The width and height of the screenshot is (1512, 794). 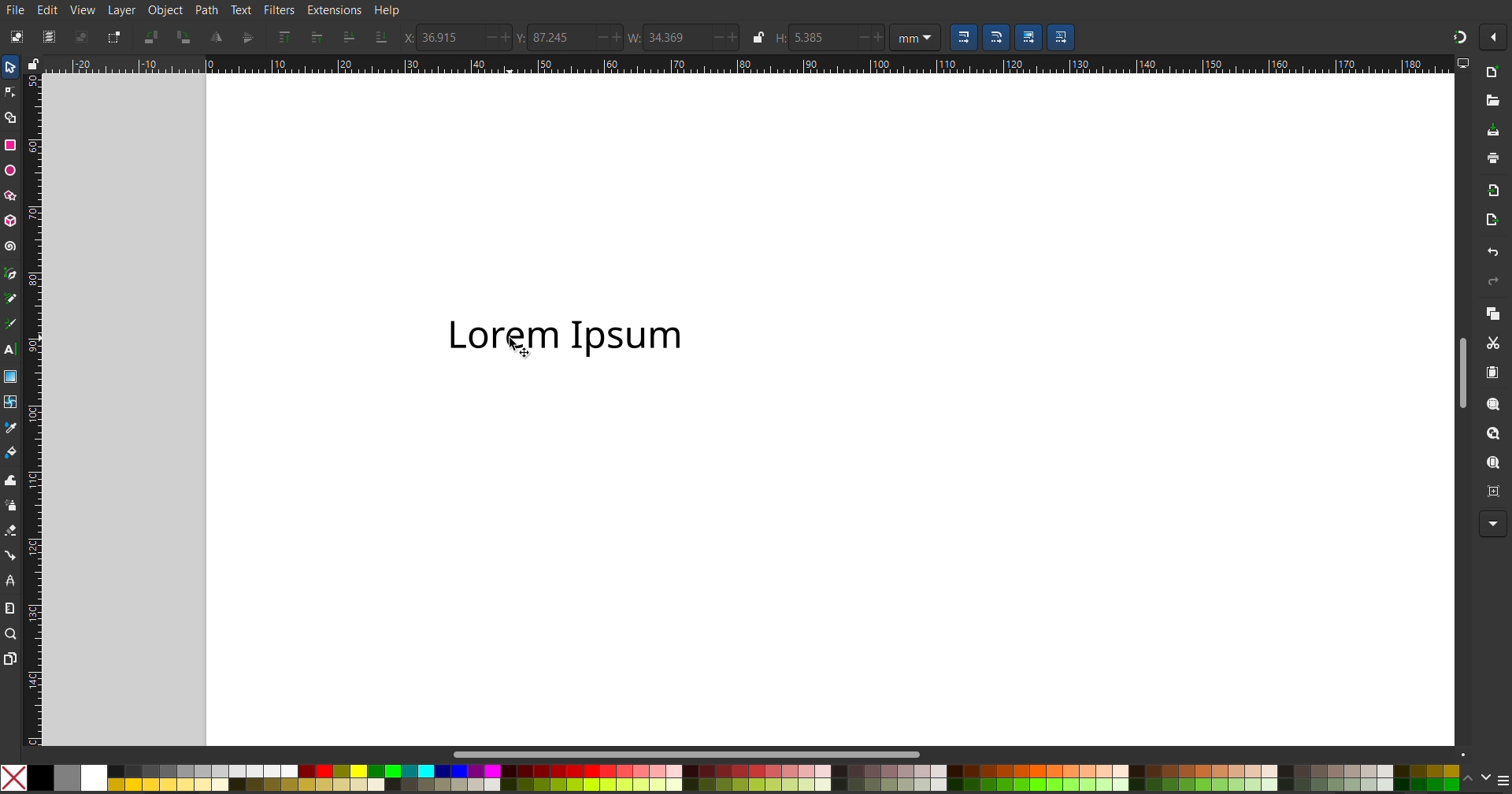 I want to click on Pencil Tool, so click(x=13, y=299).